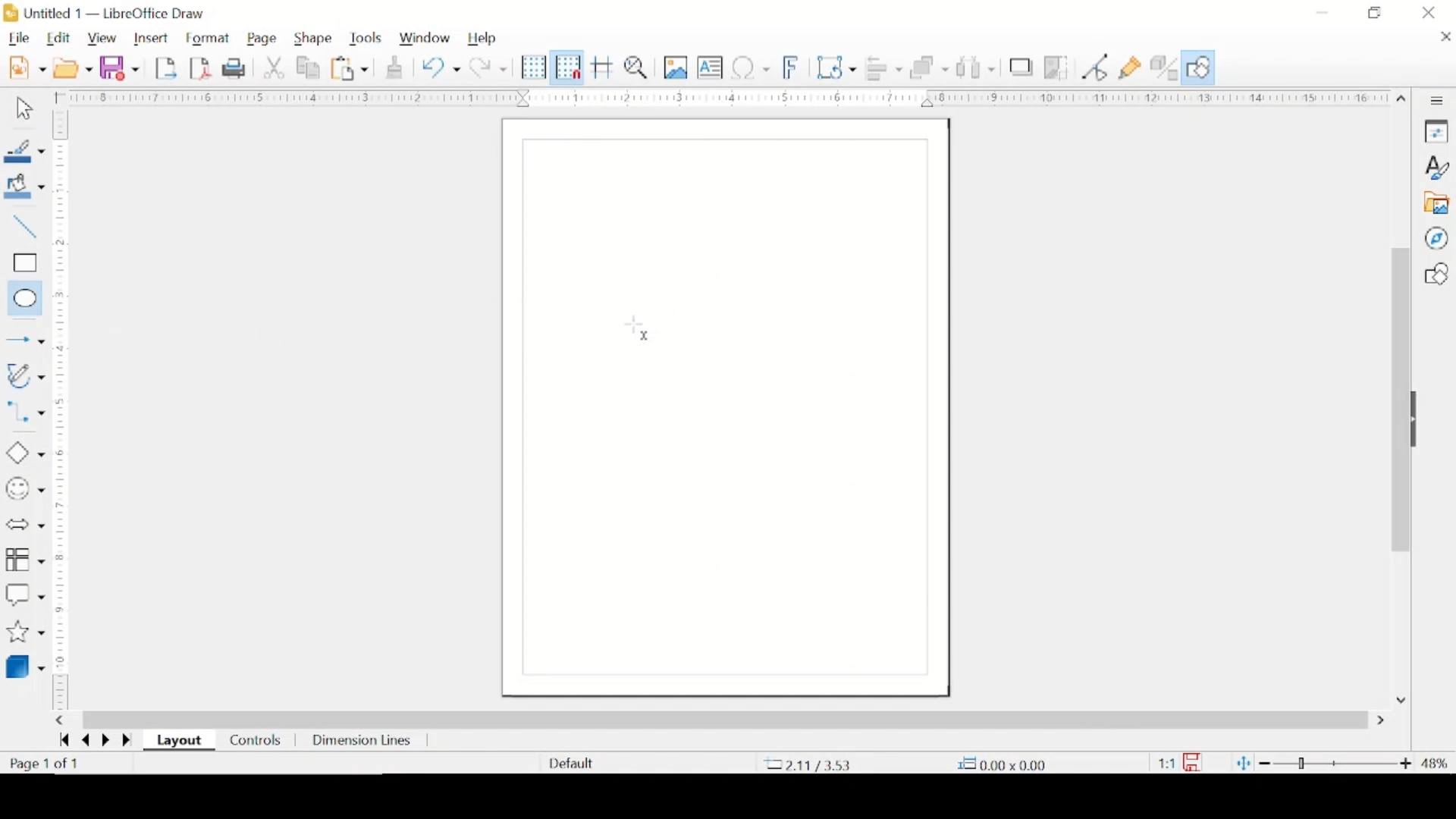 The height and width of the screenshot is (819, 1456). Describe the element at coordinates (24, 633) in the screenshot. I see `stars and banners` at that location.